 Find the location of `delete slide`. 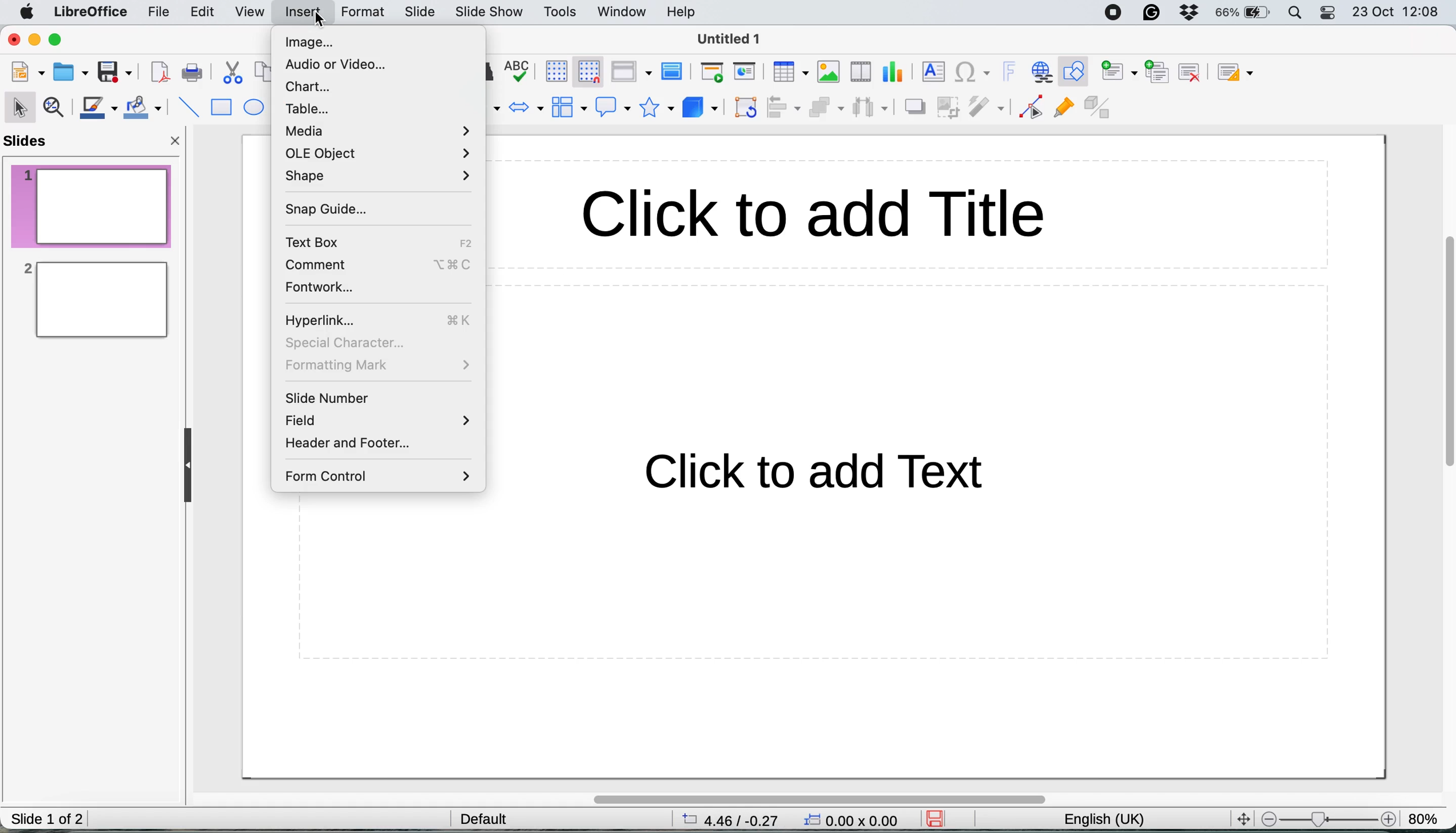

delete slide is located at coordinates (1190, 72).